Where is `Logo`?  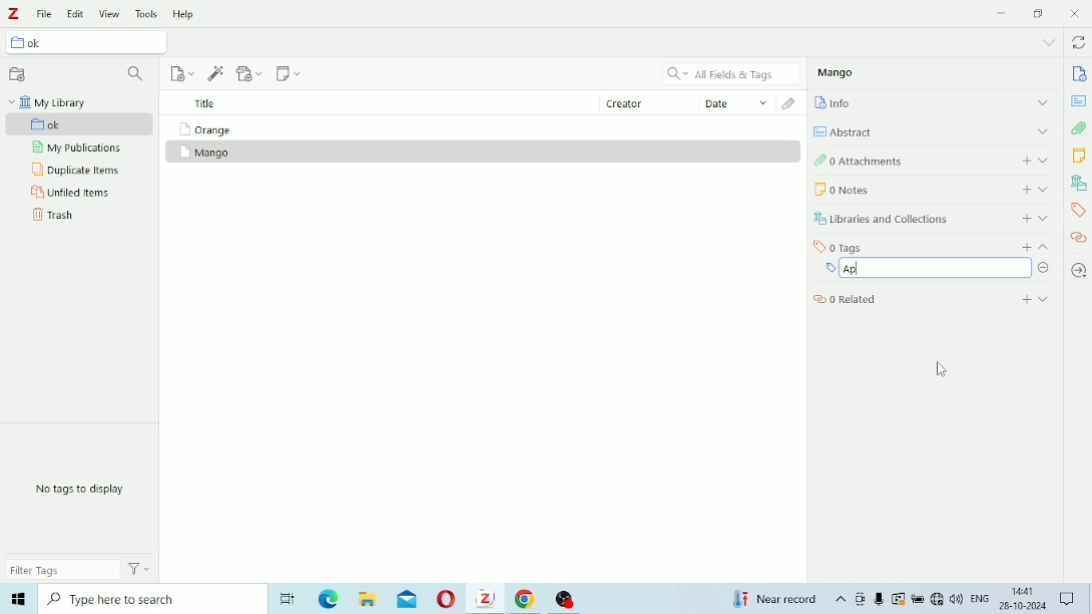 Logo is located at coordinates (14, 15).